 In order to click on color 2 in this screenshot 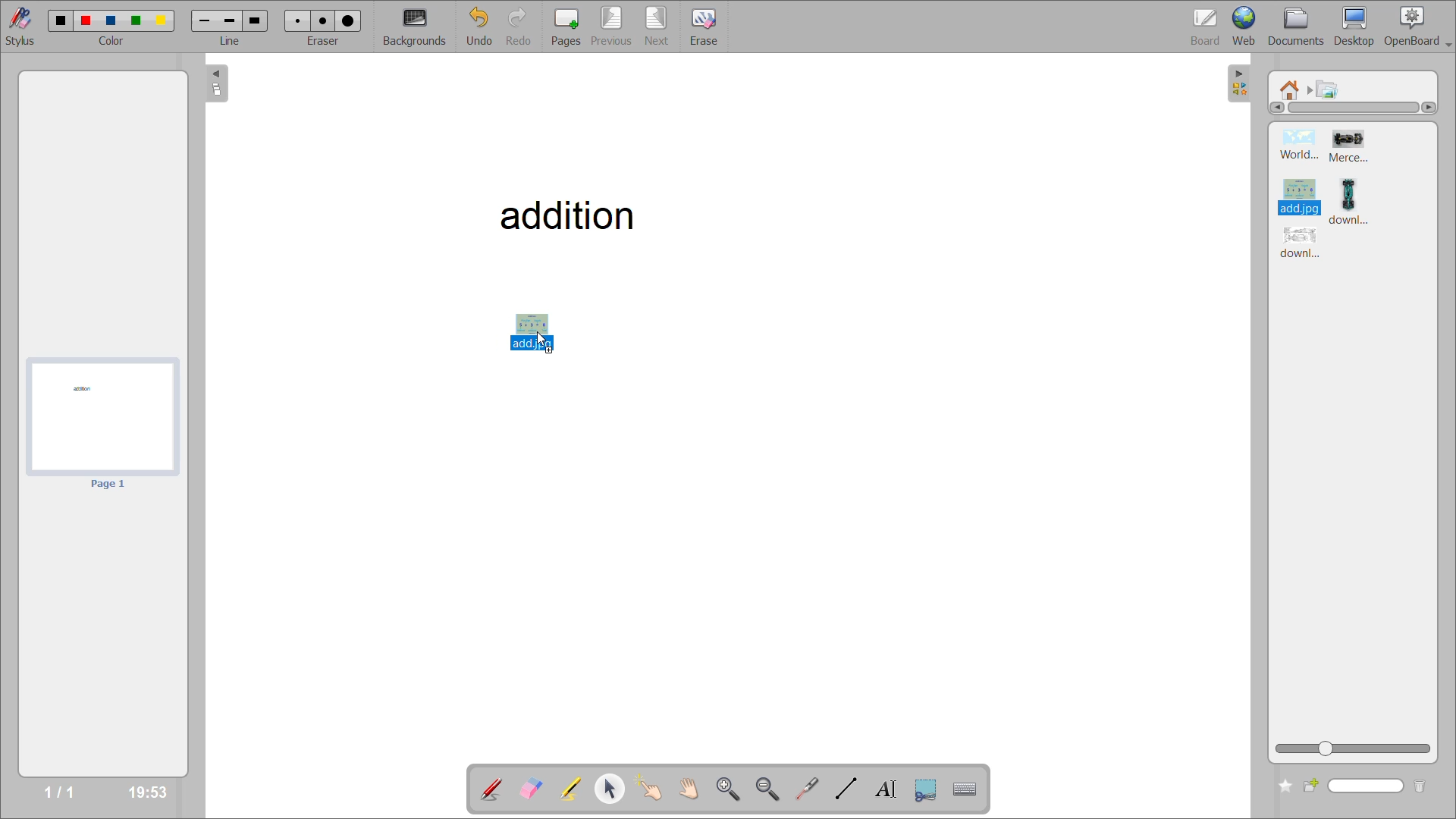, I will do `click(87, 22)`.